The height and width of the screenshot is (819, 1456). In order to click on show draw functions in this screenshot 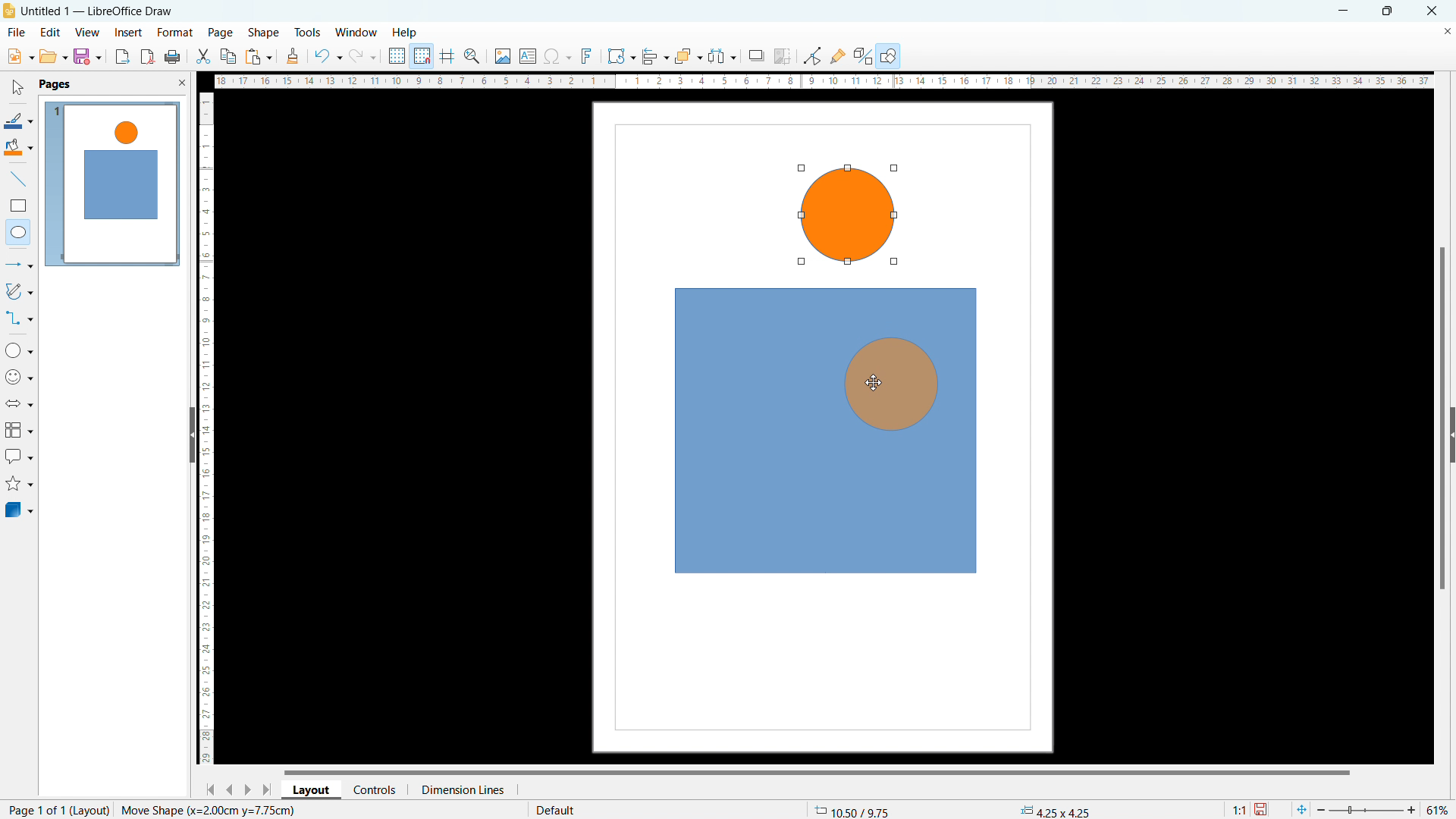, I will do `click(890, 57)`.